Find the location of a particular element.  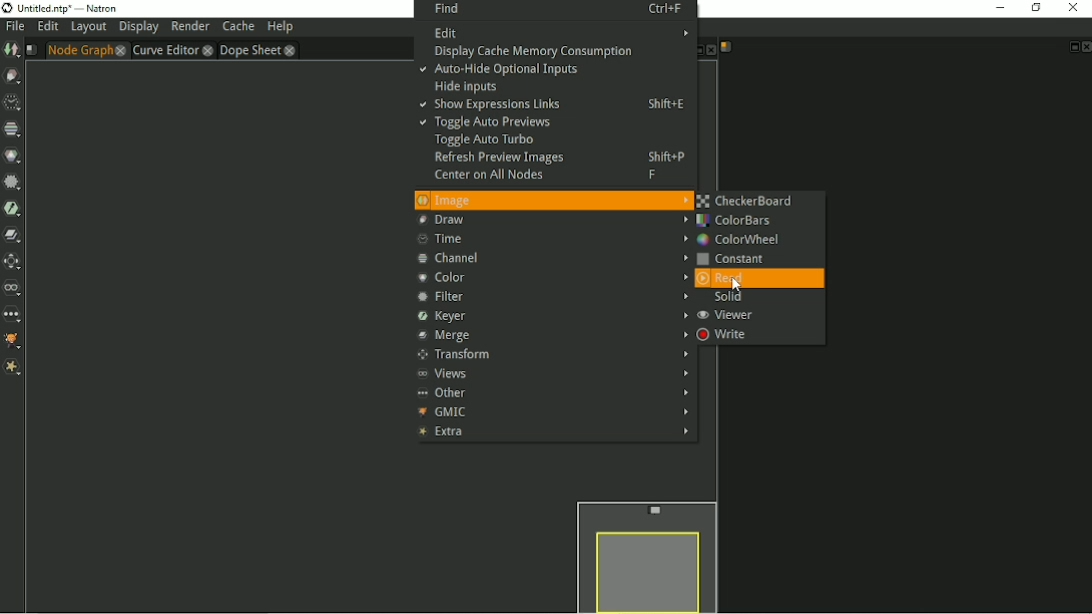

Curve Editor is located at coordinates (171, 50).